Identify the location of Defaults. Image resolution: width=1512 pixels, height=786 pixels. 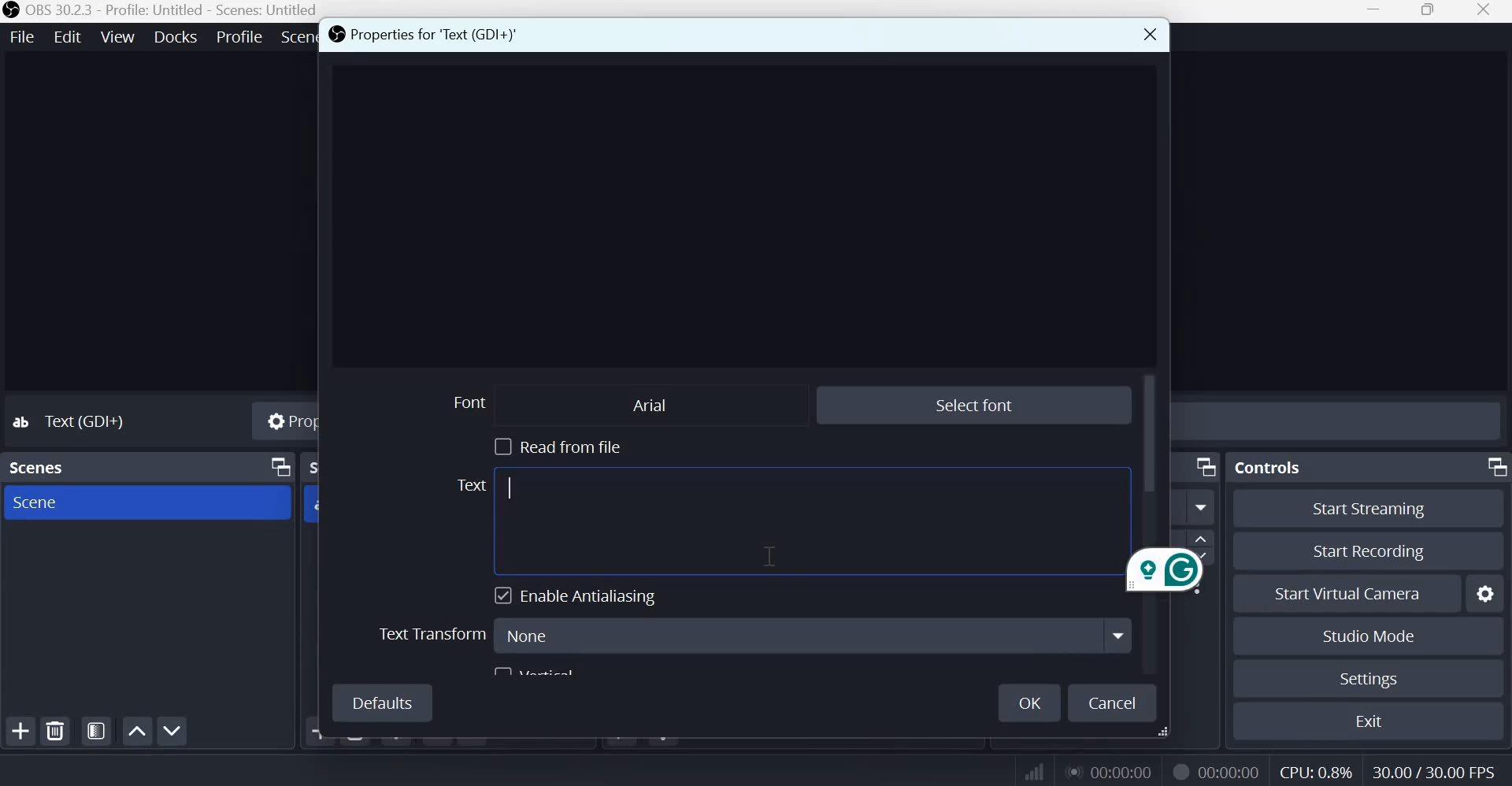
(381, 703).